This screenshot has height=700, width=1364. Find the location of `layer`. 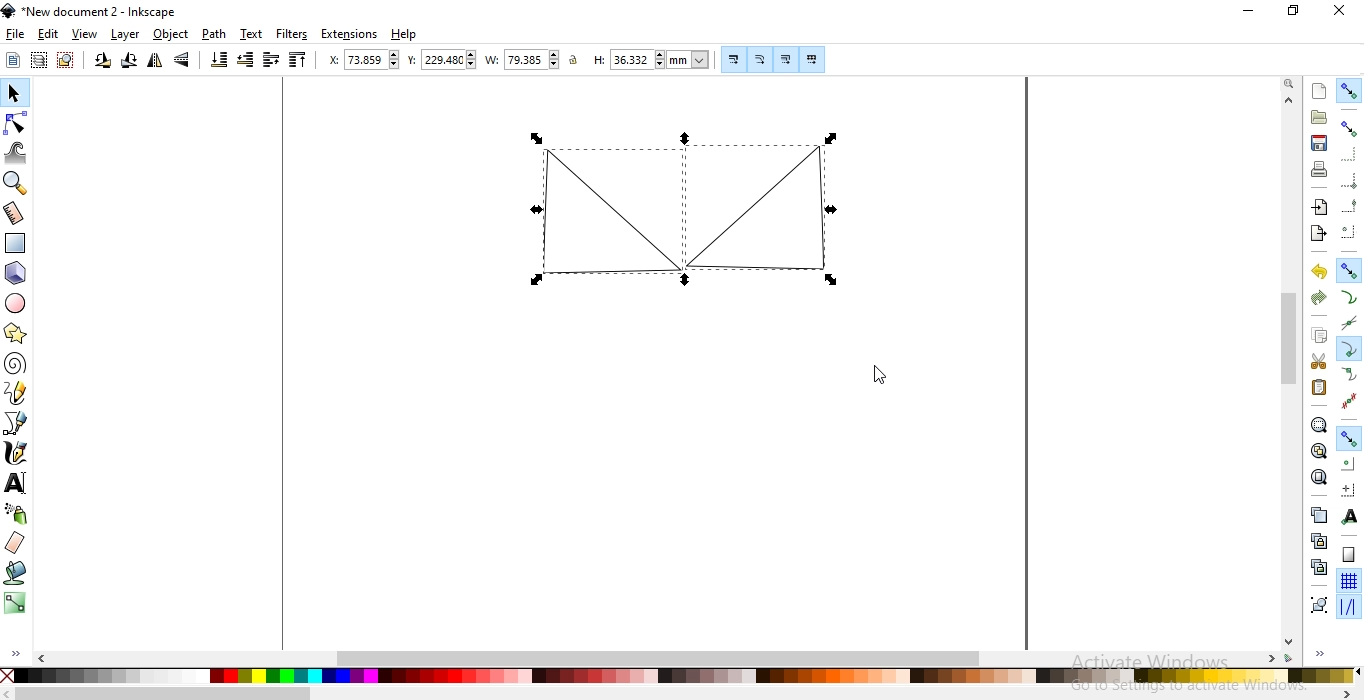

layer is located at coordinates (126, 34).